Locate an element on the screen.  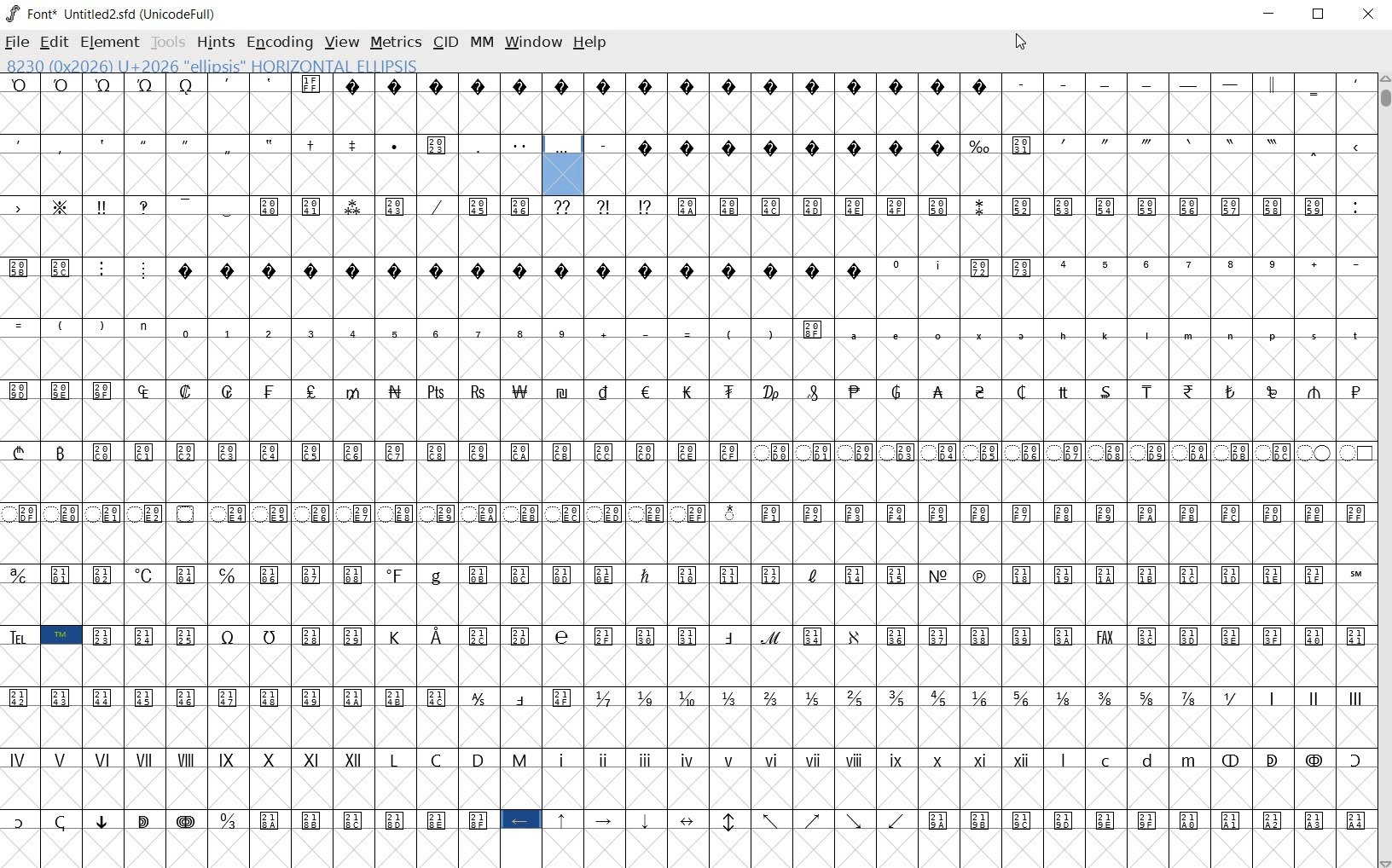
SCROLLBAR is located at coordinates (1383, 471).